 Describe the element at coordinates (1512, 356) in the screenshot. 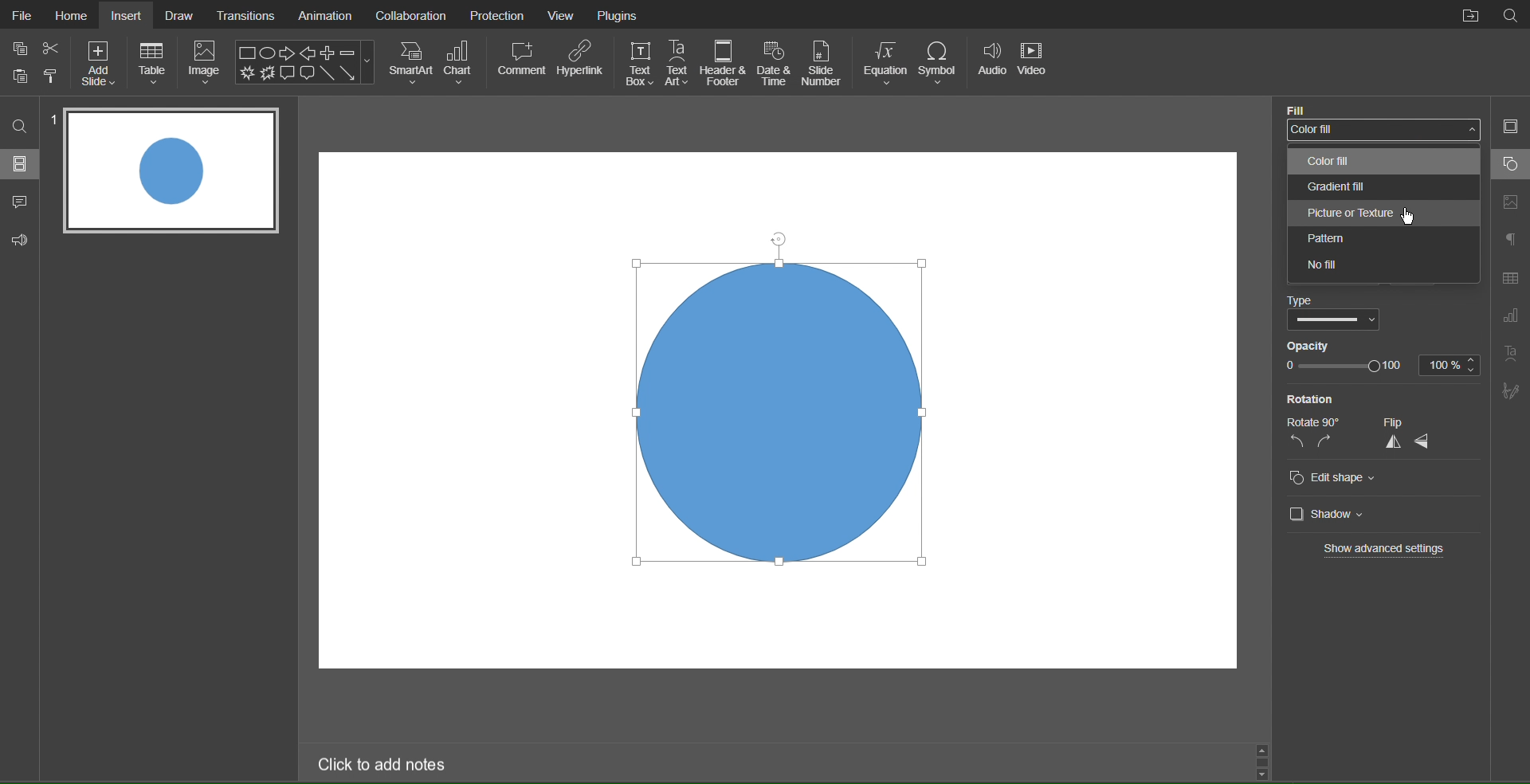

I see `Text Art` at that location.